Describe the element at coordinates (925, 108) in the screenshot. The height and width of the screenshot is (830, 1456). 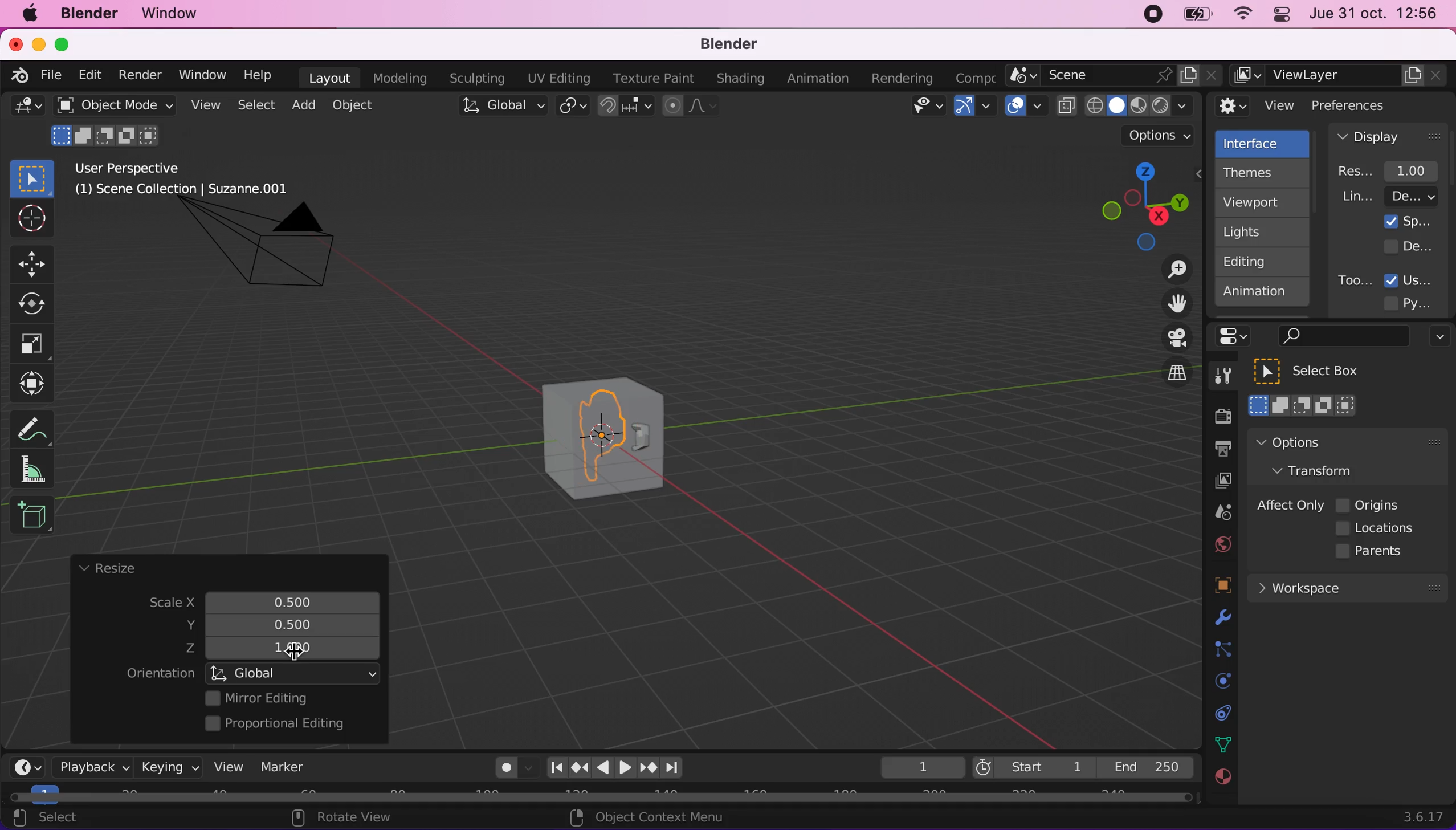
I see `view object types` at that location.